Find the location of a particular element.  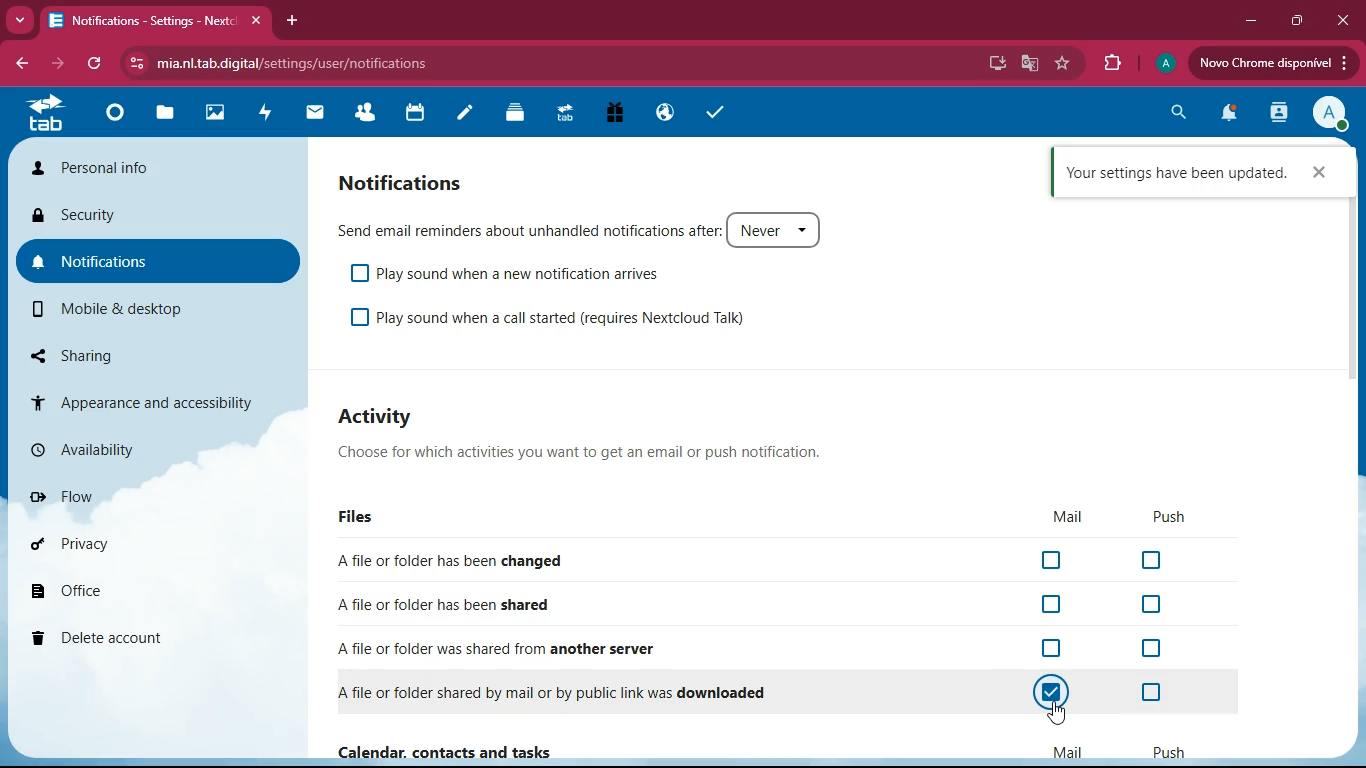

layers is located at coordinates (515, 112).